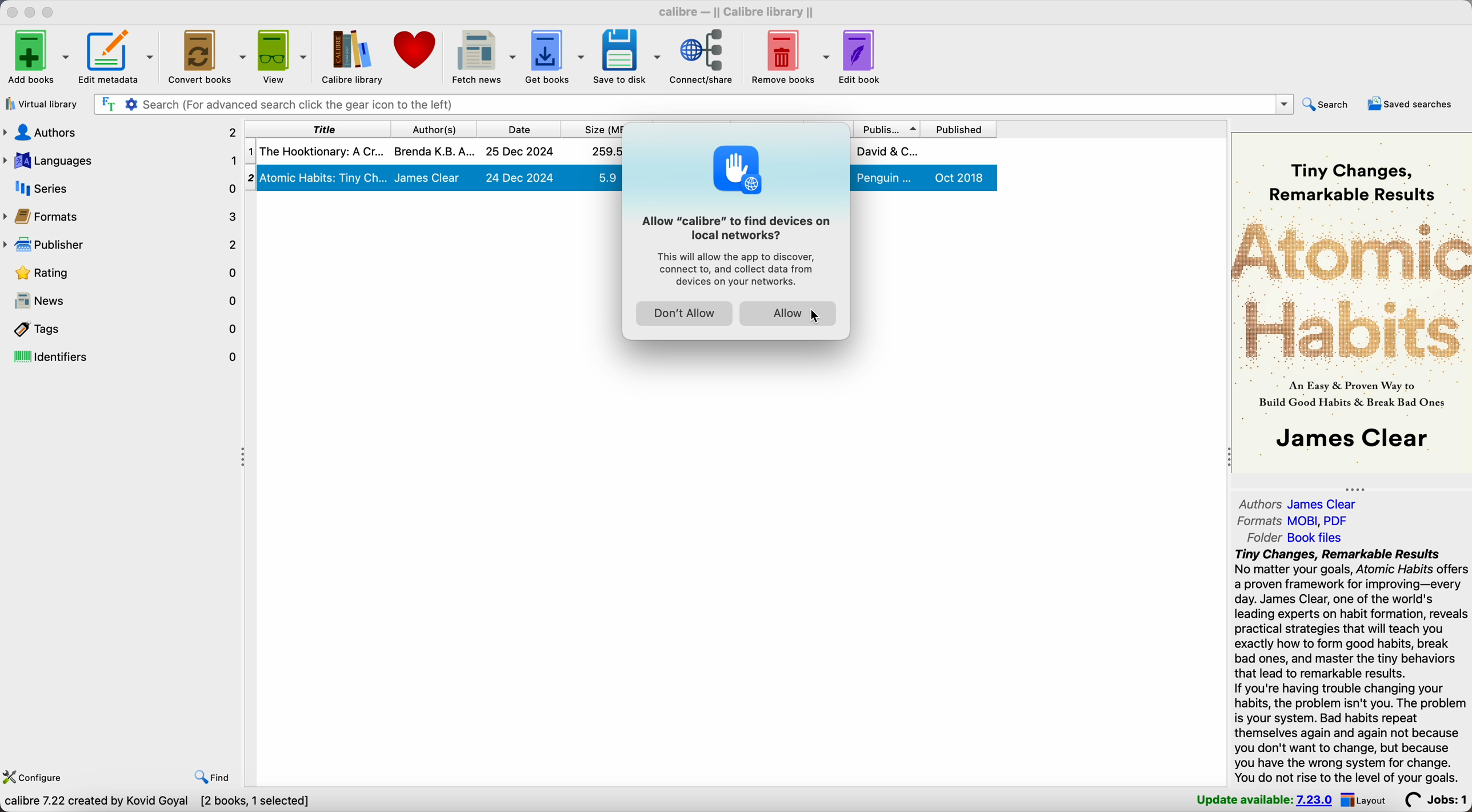  Describe the element at coordinates (595, 129) in the screenshot. I see `size` at that location.